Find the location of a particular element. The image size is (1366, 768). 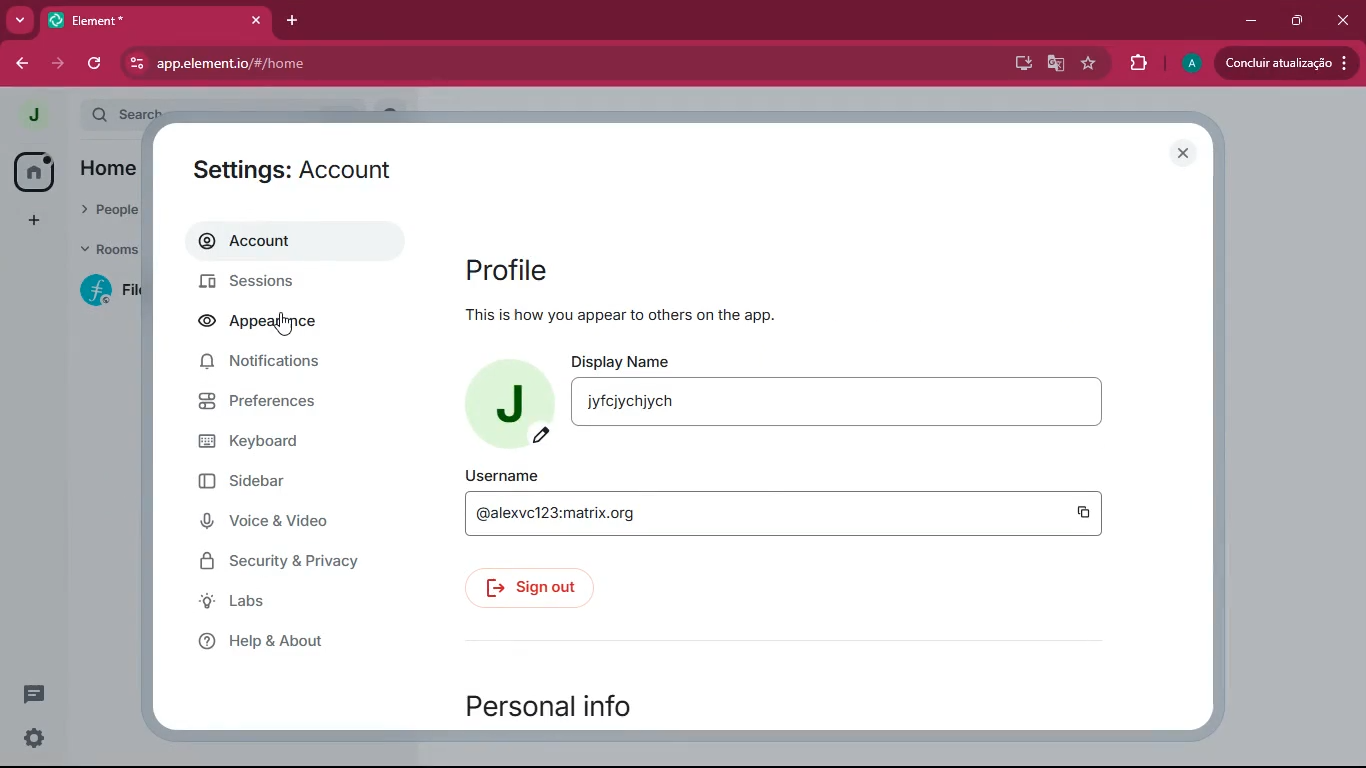

message is located at coordinates (32, 697).